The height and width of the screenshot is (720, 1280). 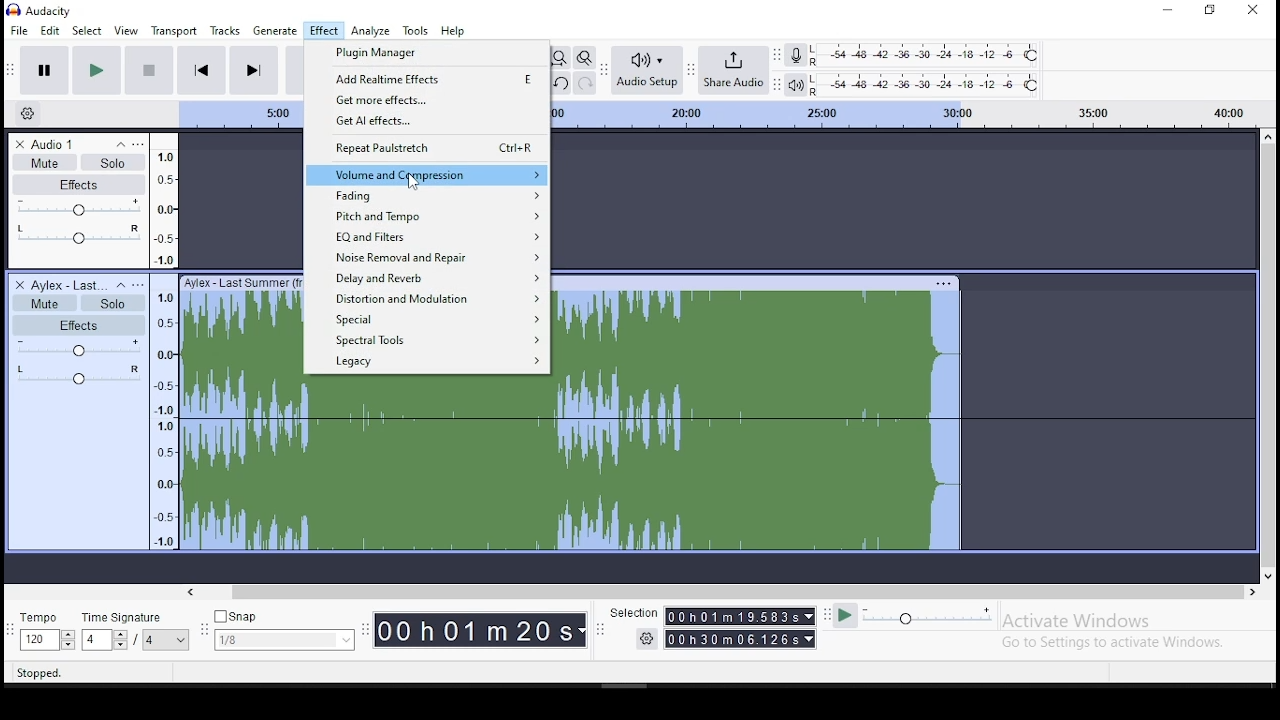 I want to click on record meter, so click(x=795, y=56).